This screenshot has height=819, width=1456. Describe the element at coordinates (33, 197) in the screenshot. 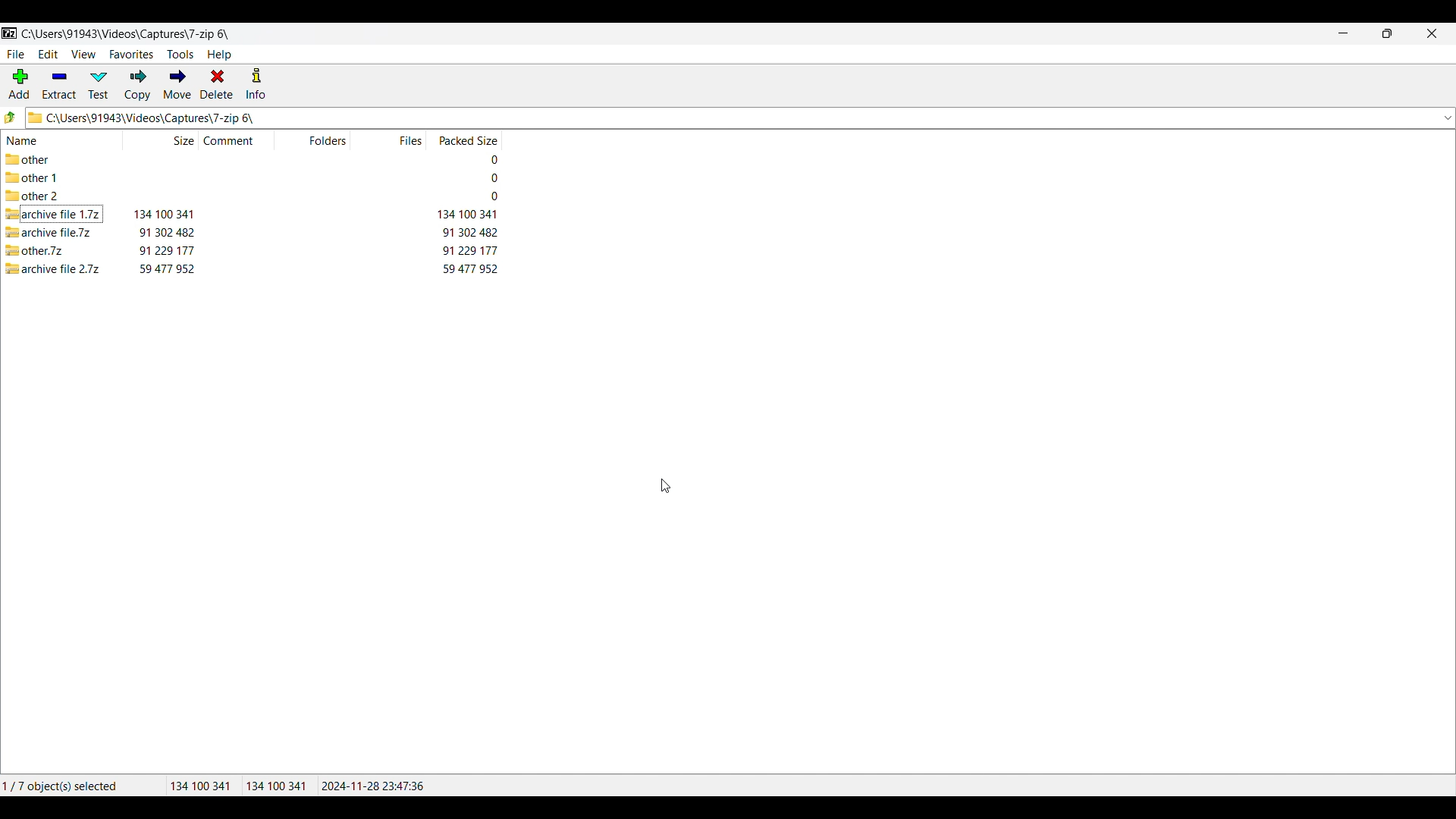

I see `other 2 ` at that location.